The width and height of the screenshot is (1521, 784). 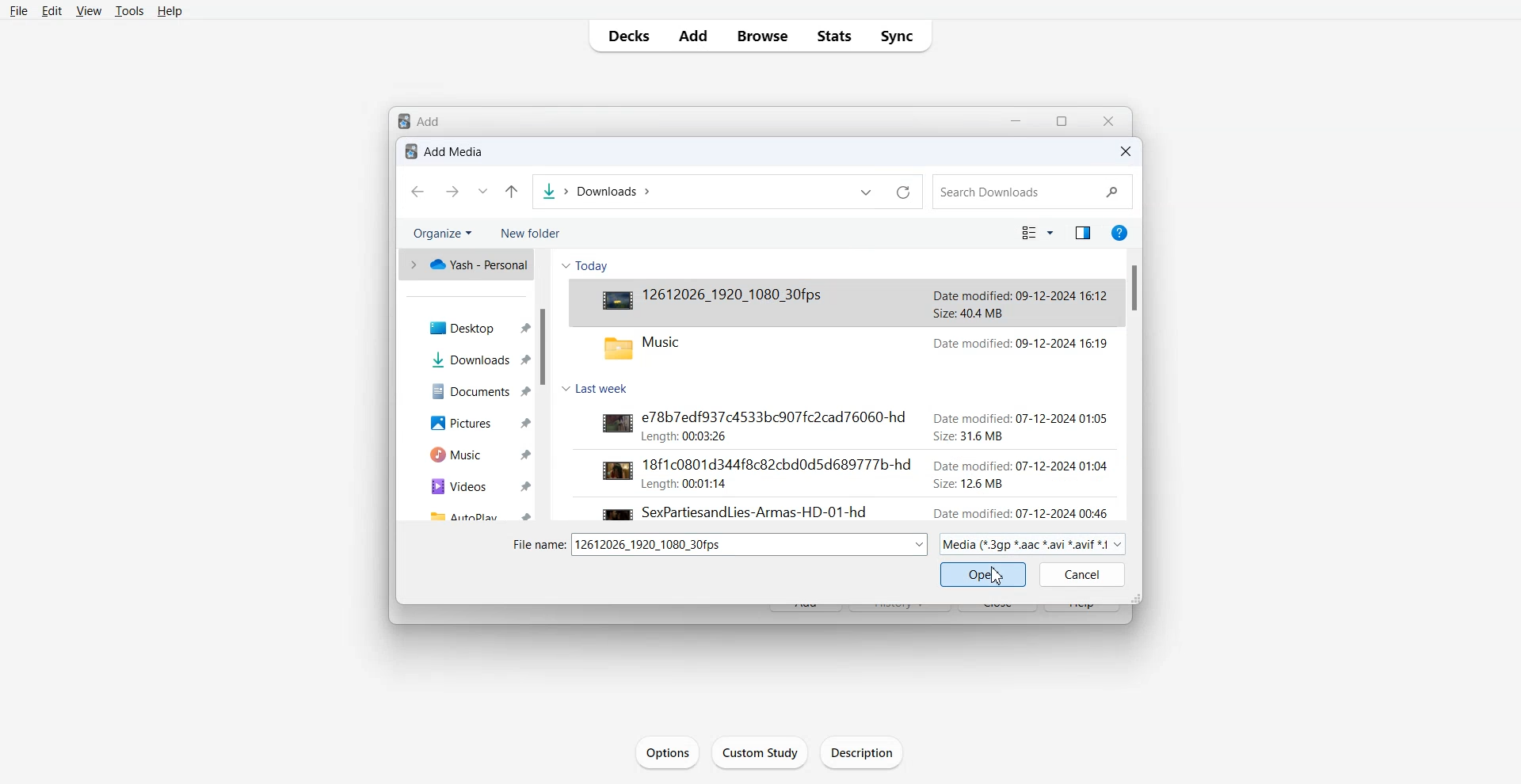 What do you see at coordinates (727, 509) in the screenshot?
I see `video file` at bounding box center [727, 509].